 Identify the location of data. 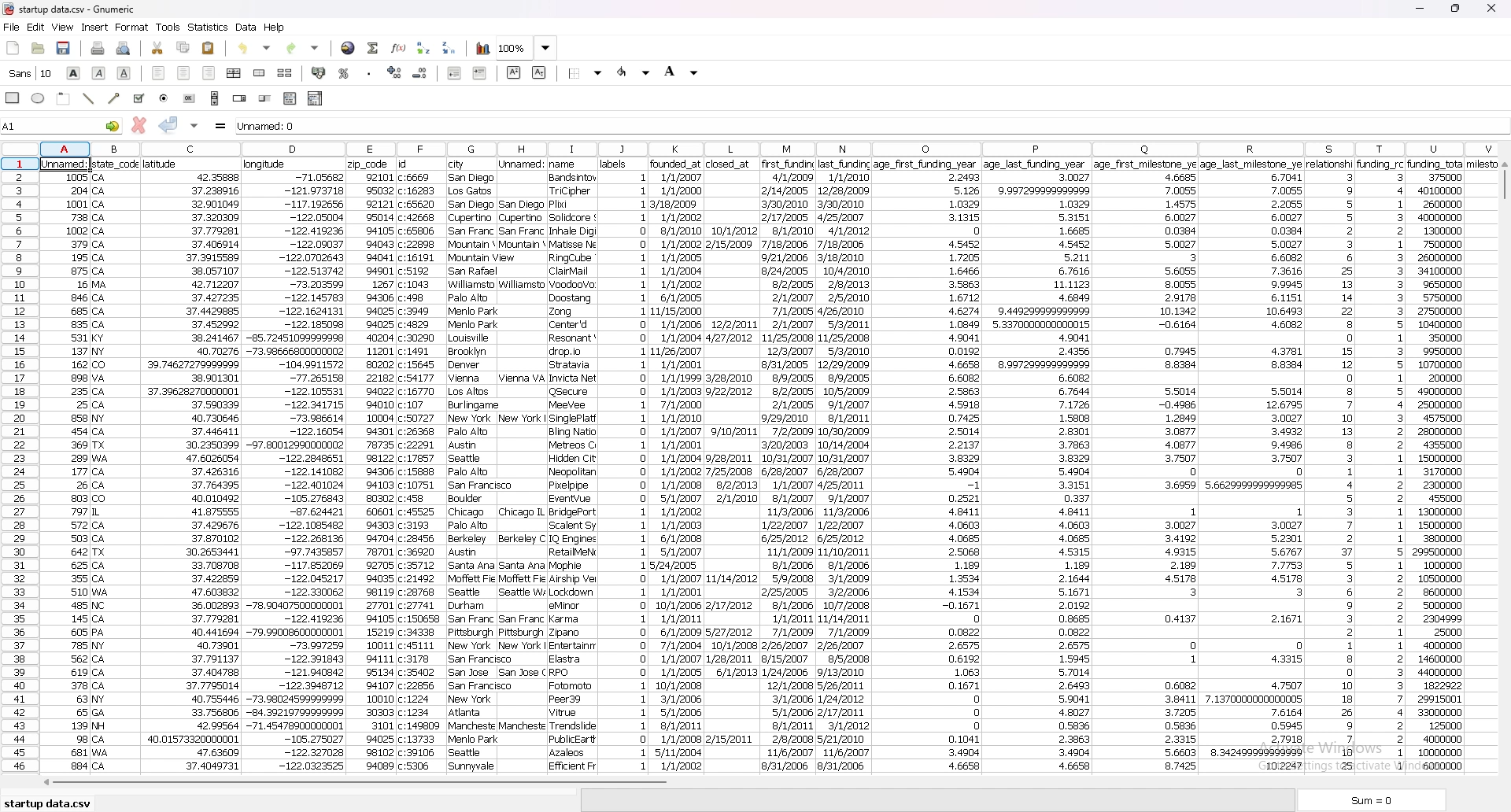
(1457, 464).